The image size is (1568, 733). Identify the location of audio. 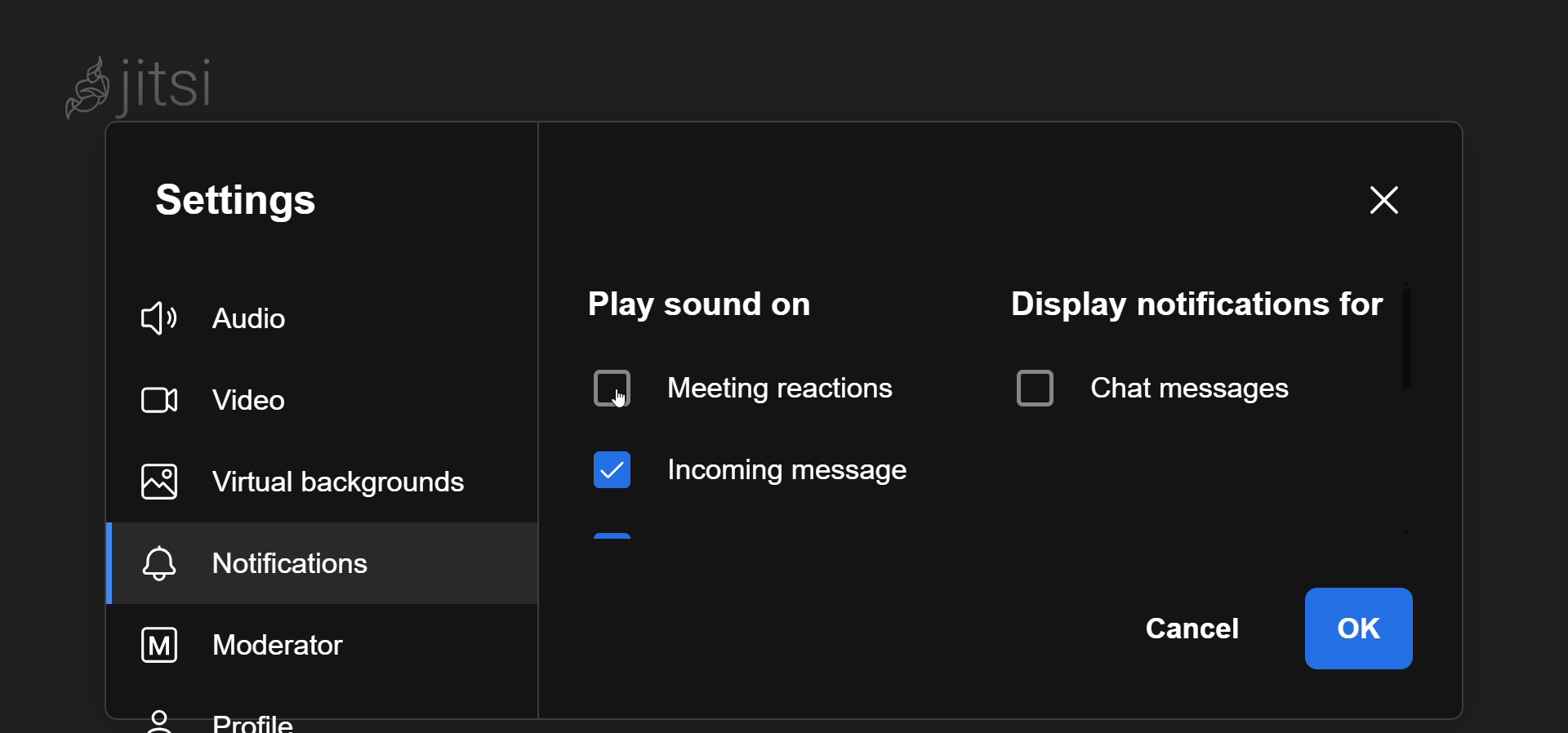
(245, 325).